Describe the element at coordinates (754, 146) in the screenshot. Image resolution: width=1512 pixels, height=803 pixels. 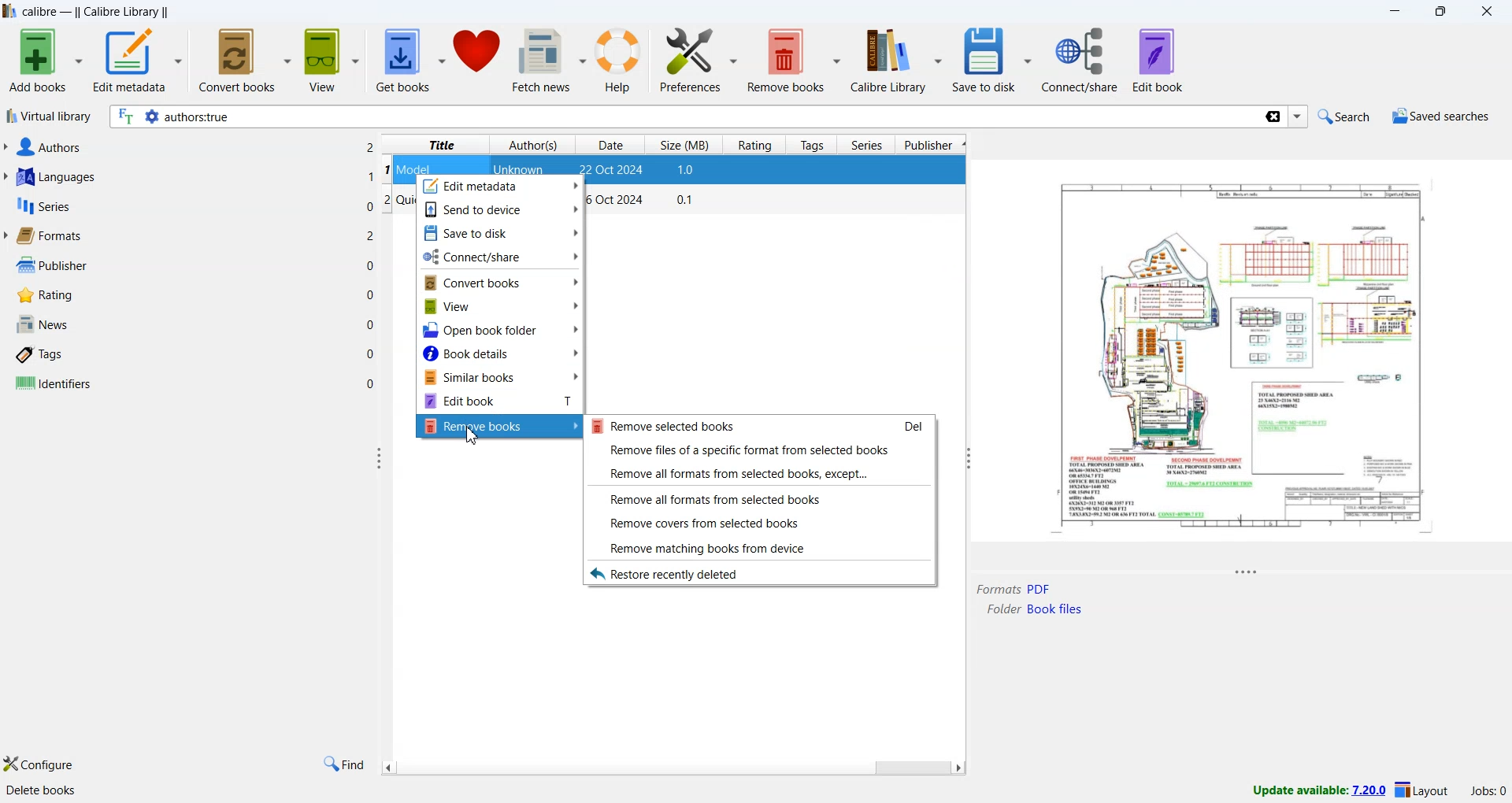
I see `rating` at that location.